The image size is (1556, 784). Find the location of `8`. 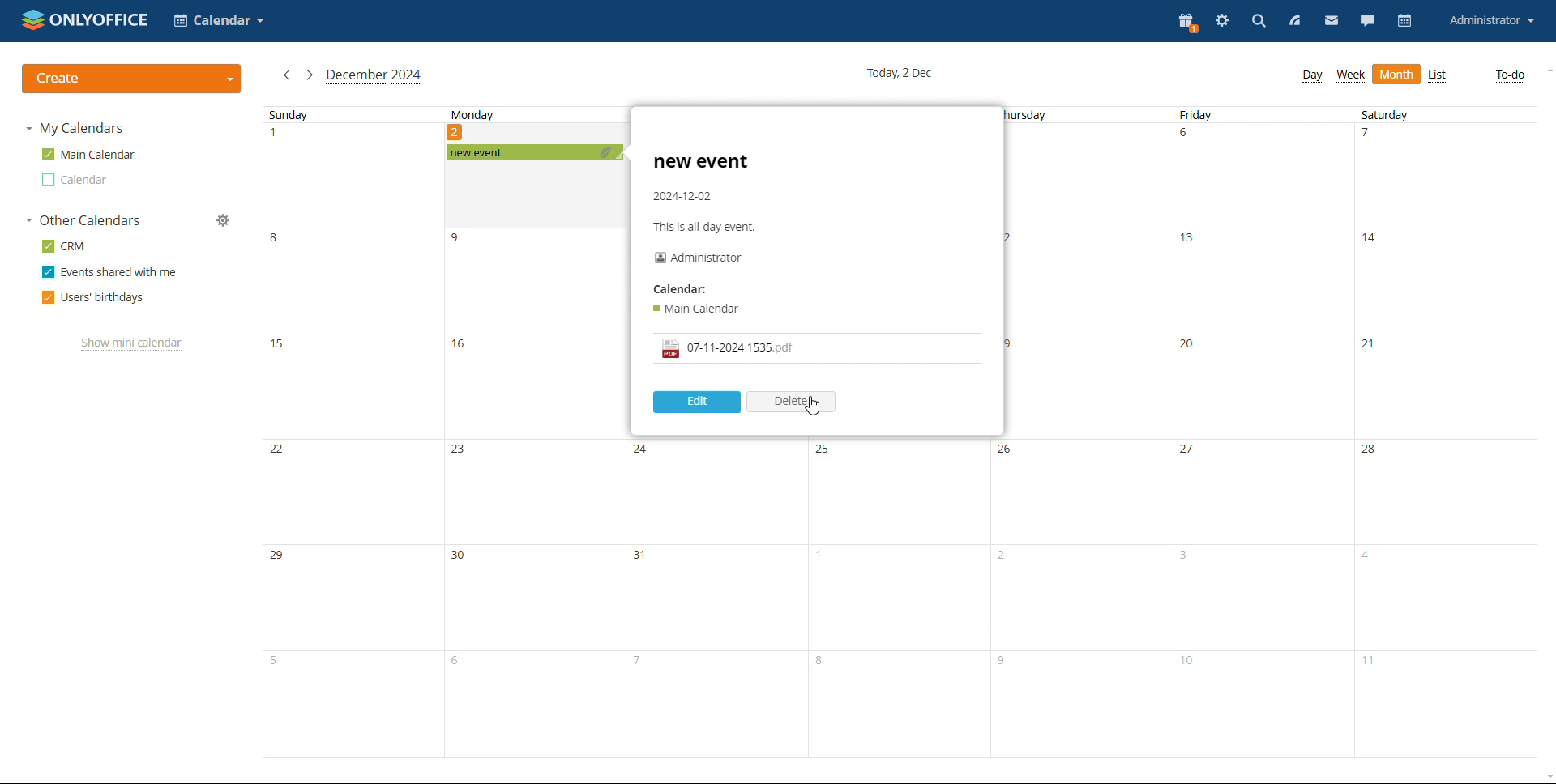

8 is located at coordinates (281, 242).